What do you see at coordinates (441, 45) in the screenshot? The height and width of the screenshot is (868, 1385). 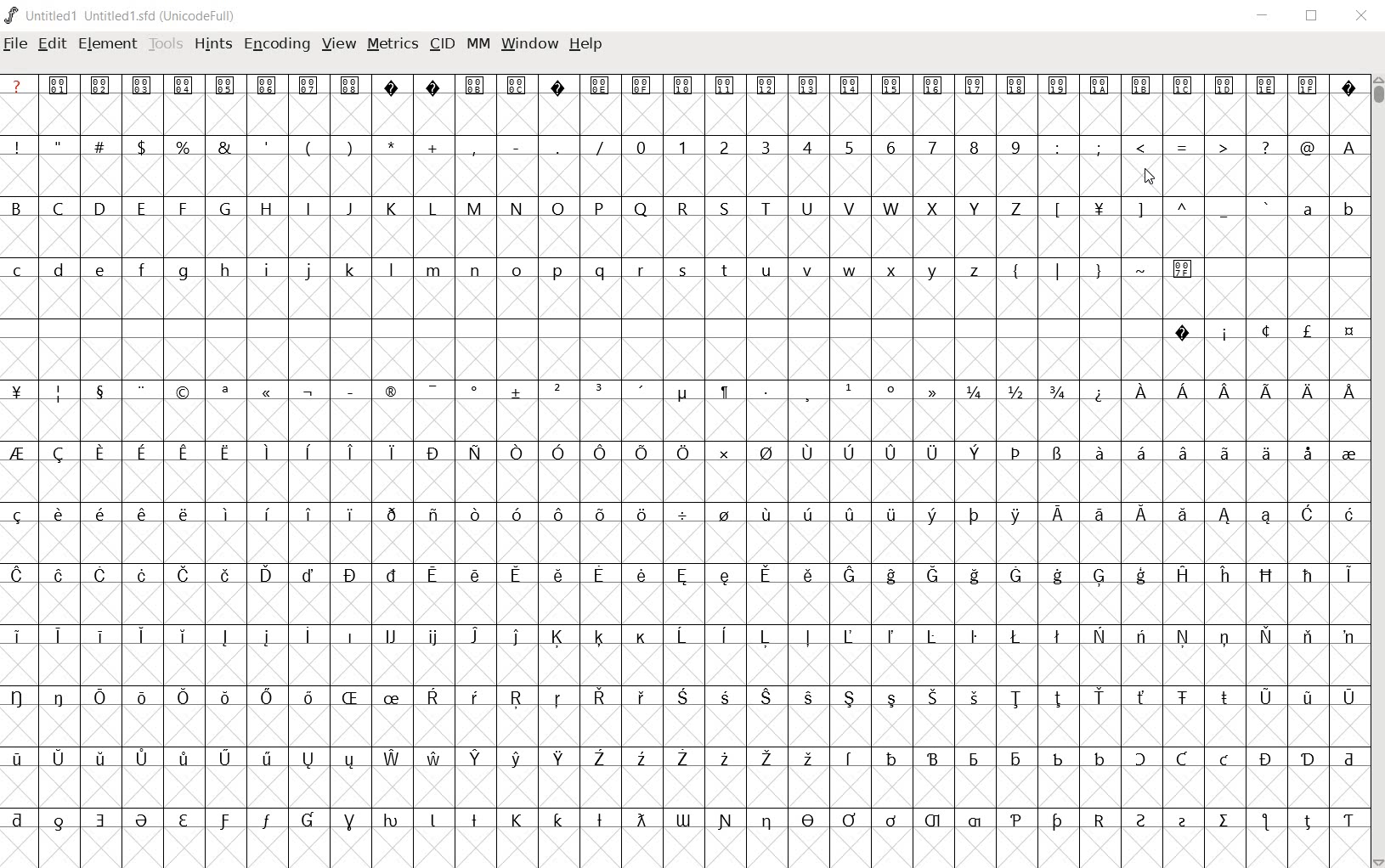 I see `cid` at bounding box center [441, 45].